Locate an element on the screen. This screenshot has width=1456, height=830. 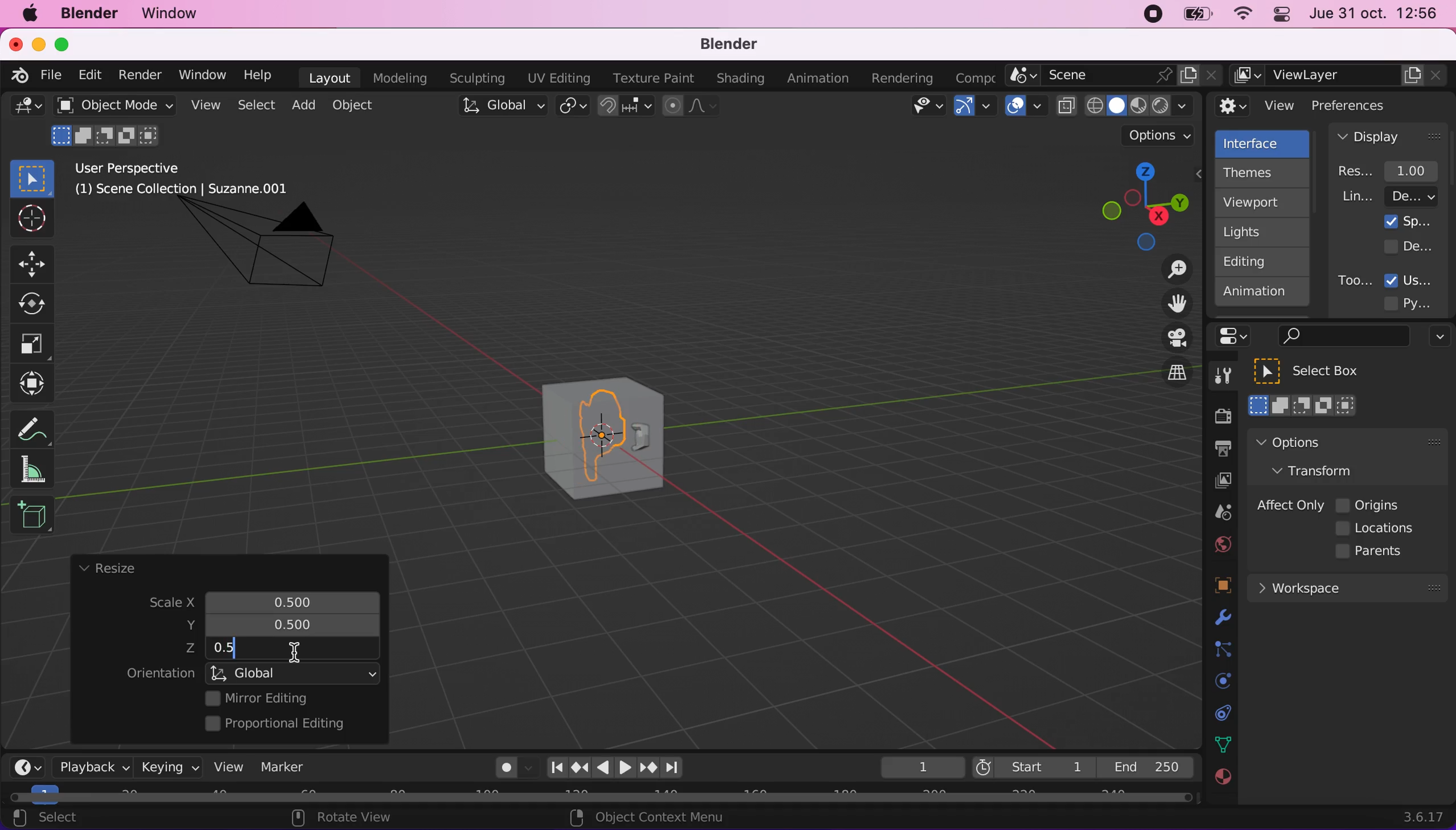
jump to endpoint is located at coordinates (678, 768).